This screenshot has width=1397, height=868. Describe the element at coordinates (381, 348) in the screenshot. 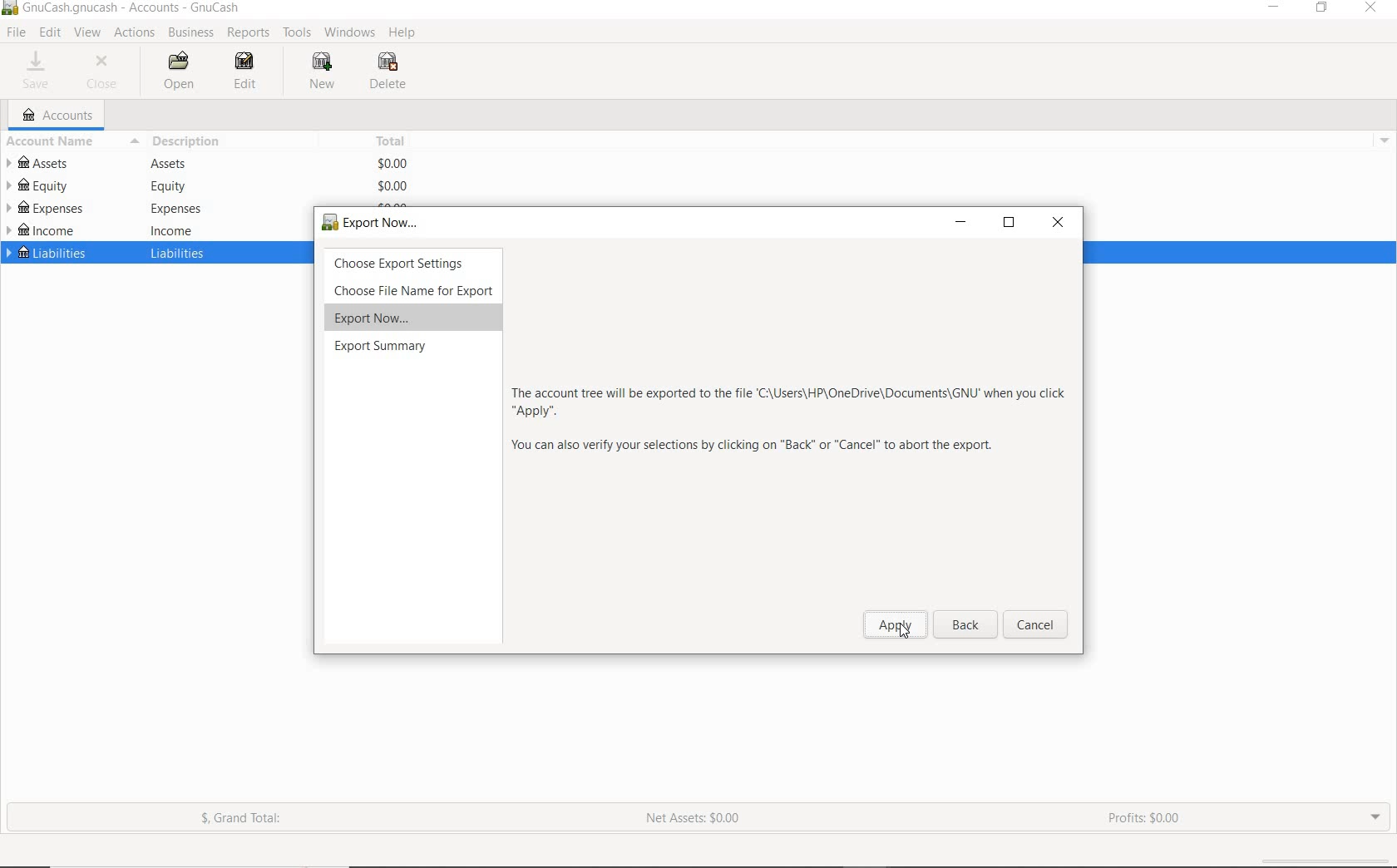

I see `export summary` at that location.